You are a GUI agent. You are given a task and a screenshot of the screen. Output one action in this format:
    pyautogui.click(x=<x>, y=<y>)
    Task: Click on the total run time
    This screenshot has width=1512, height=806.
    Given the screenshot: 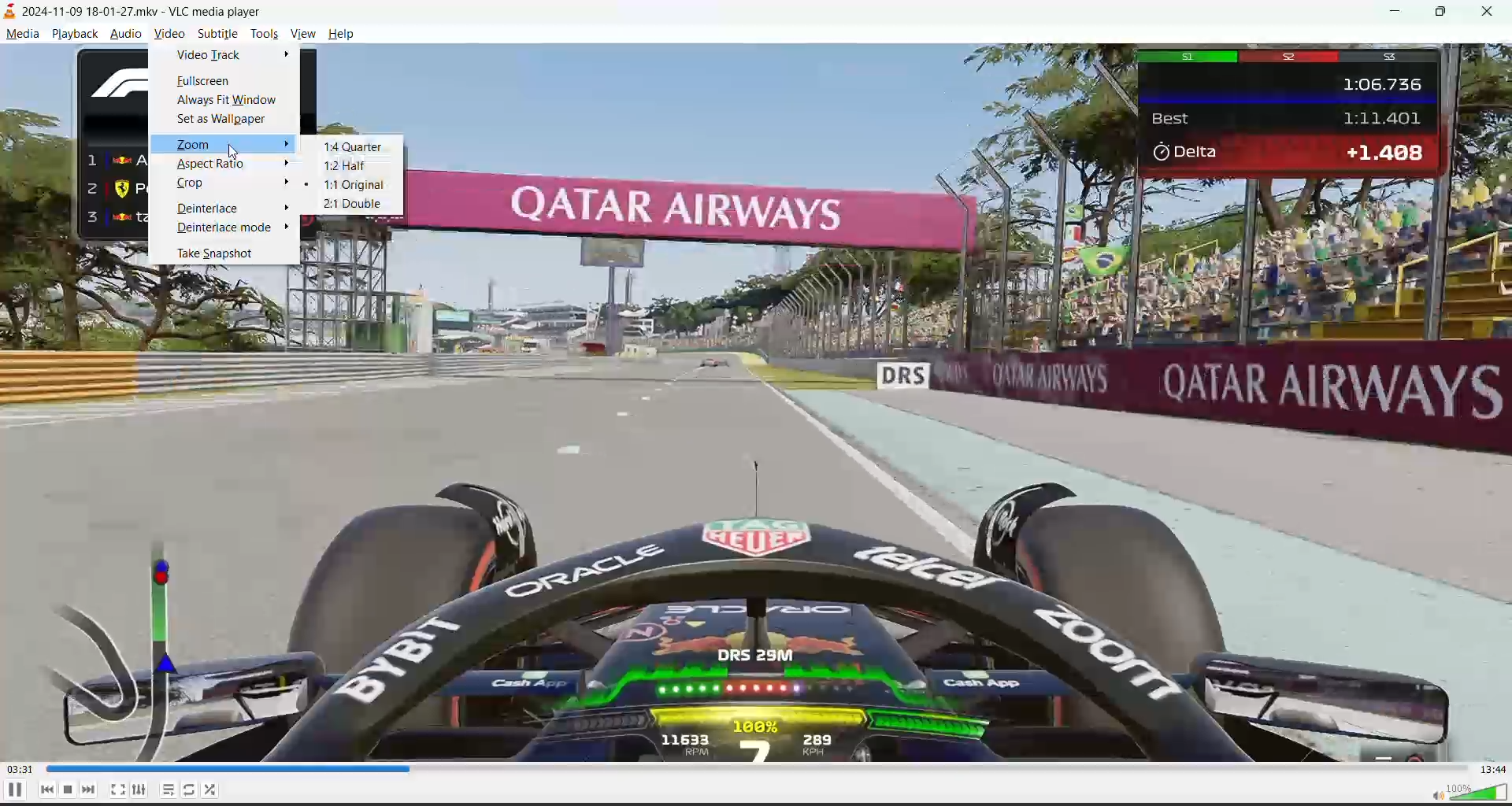 What is the action you would take?
    pyautogui.click(x=1492, y=769)
    